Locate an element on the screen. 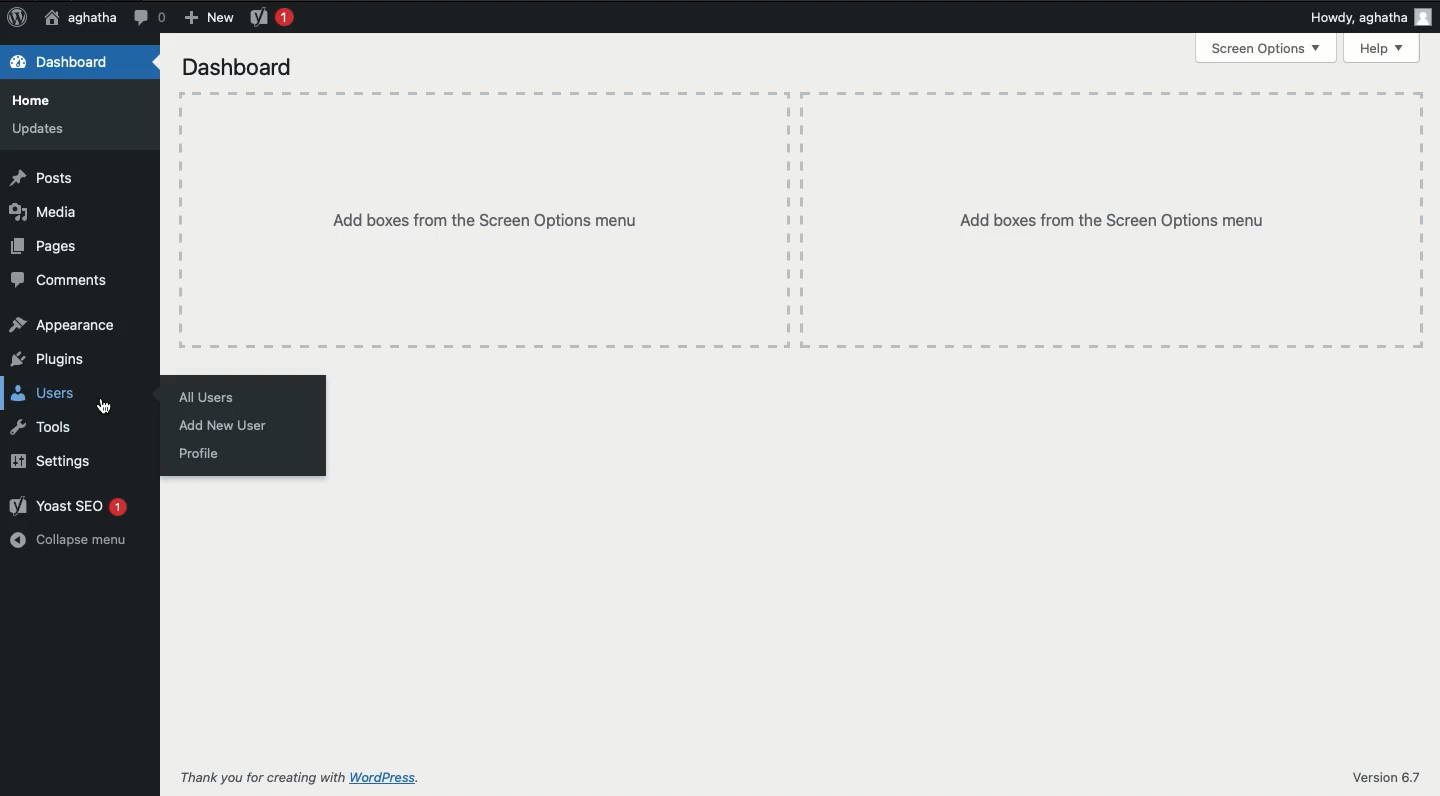 This screenshot has width=1440, height=796. Logo is located at coordinates (17, 18).